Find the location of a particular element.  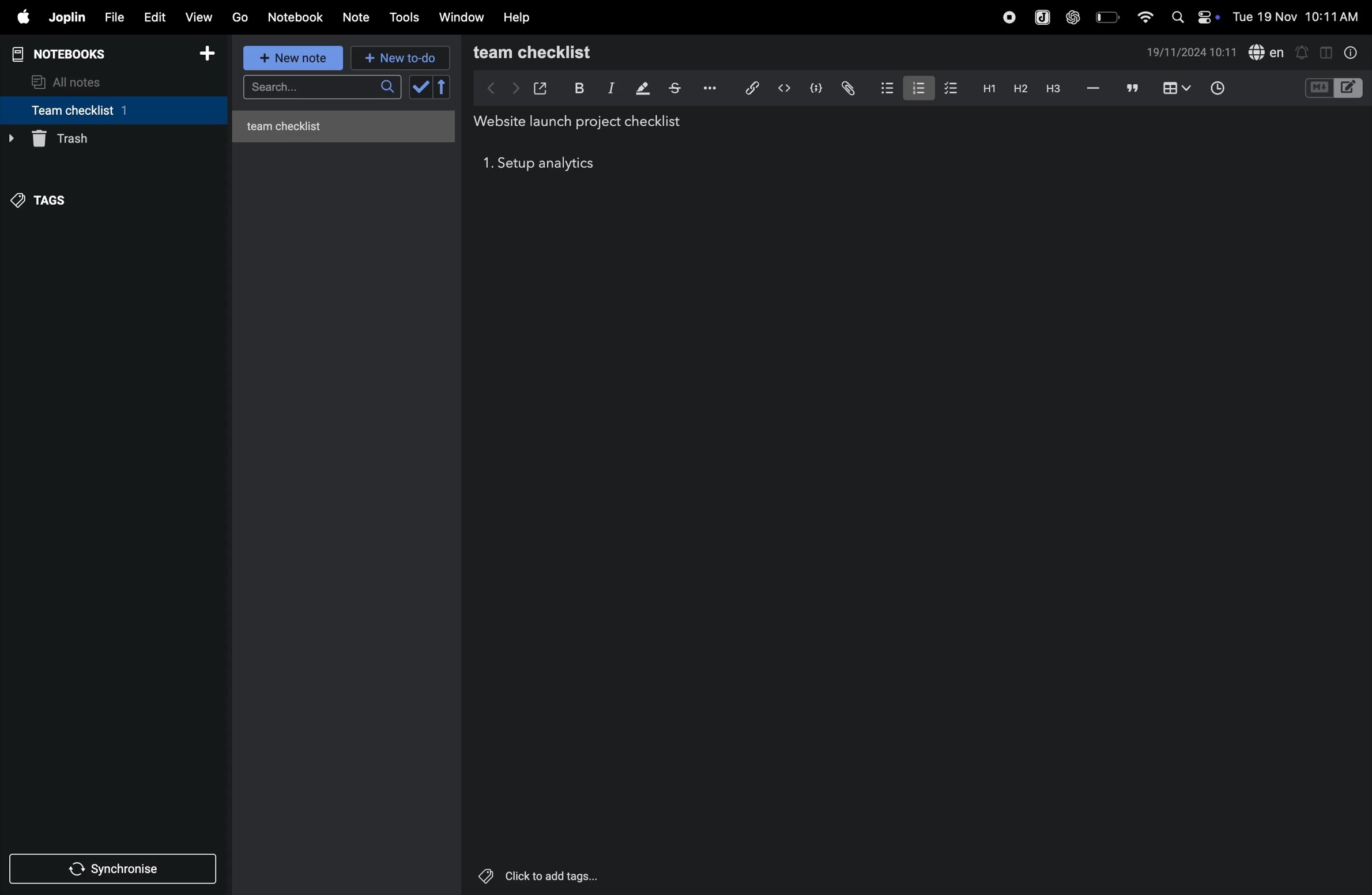

team checklist is located at coordinates (557, 52).